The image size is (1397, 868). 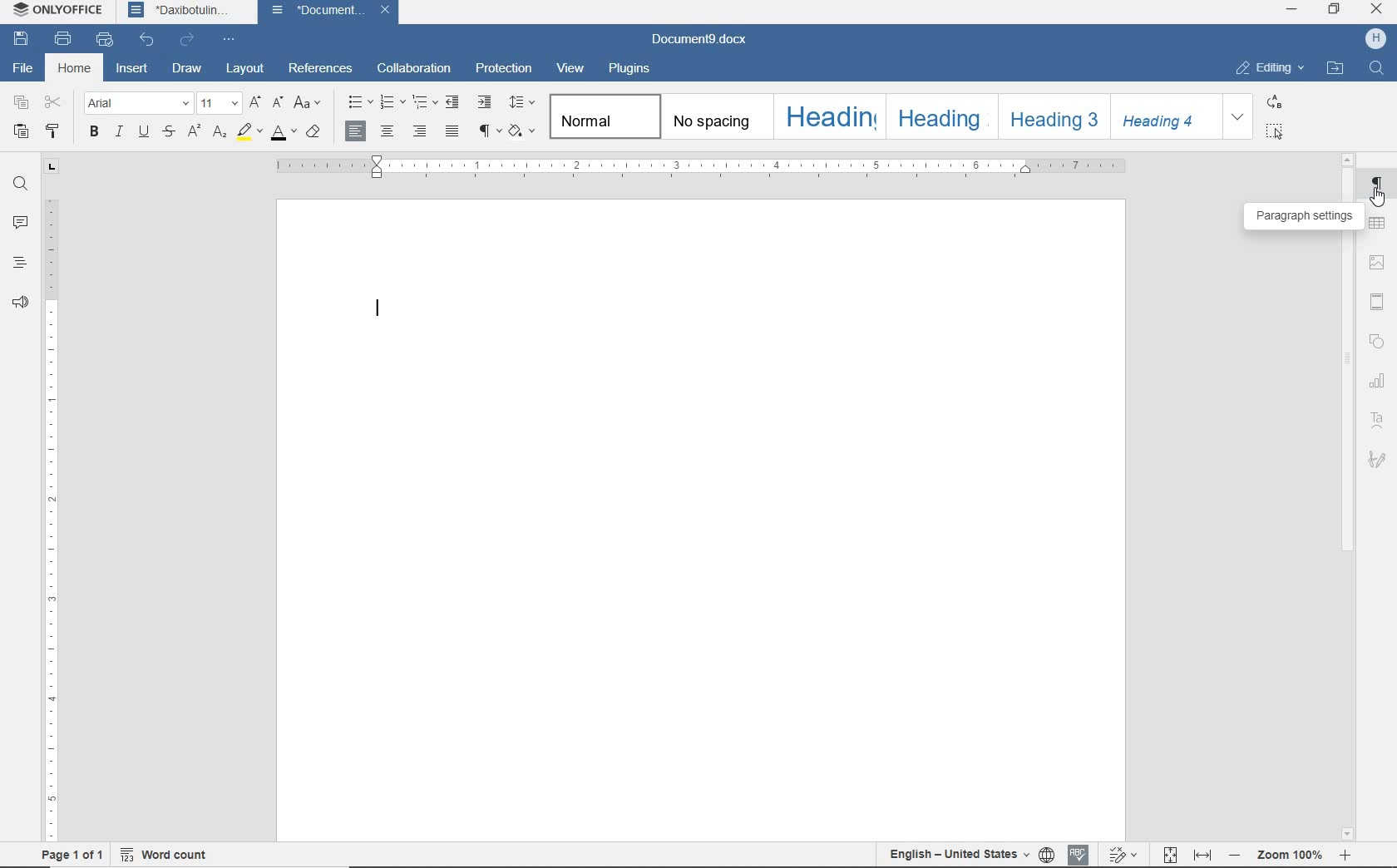 What do you see at coordinates (279, 103) in the screenshot?
I see `decrement font size` at bounding box center [279, 103].